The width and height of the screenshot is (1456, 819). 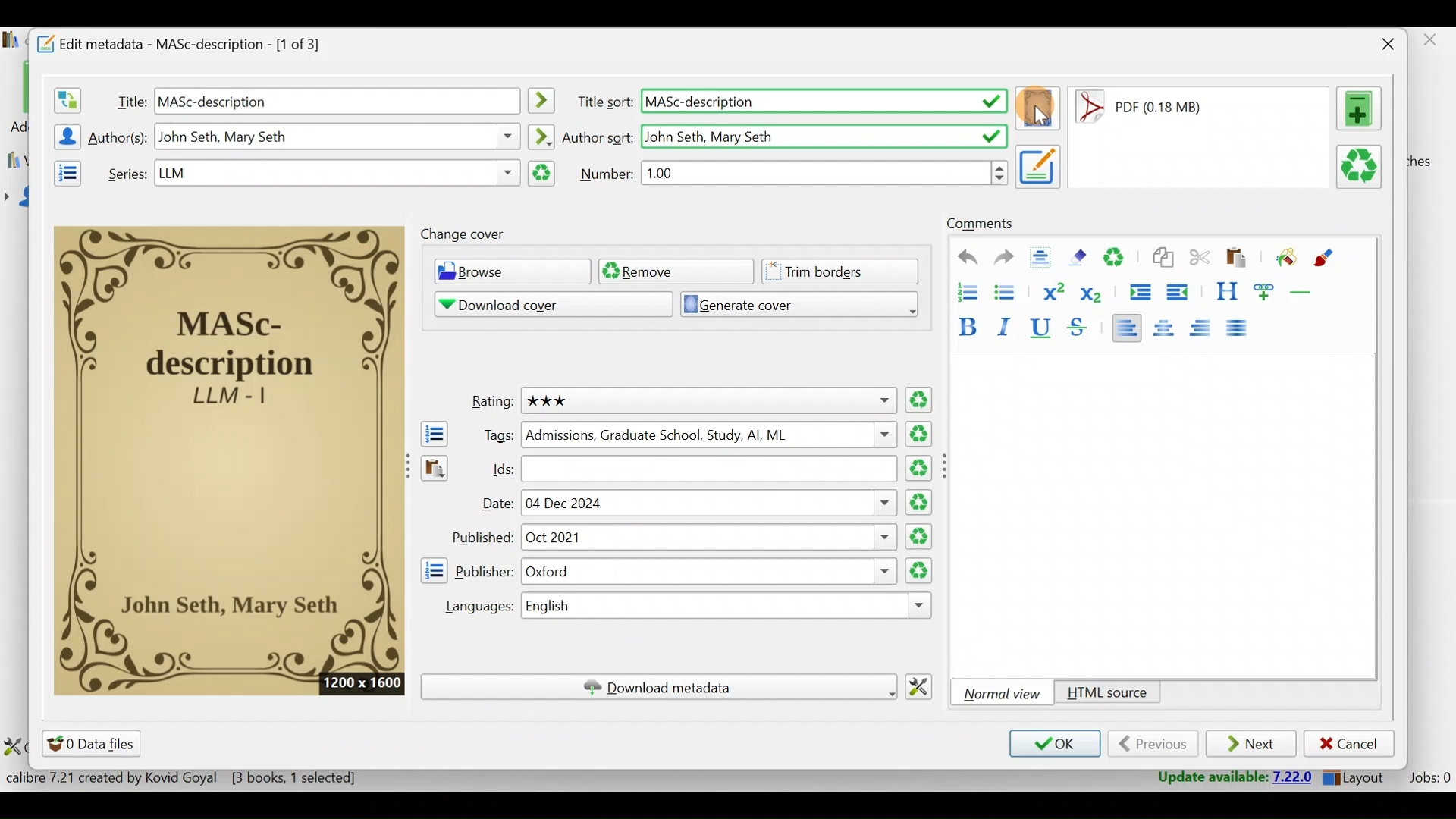 What do you see at coordinates (1138, 290) in the screenshot?
I see `Increase indentation` at bounding box center [1138, 290].